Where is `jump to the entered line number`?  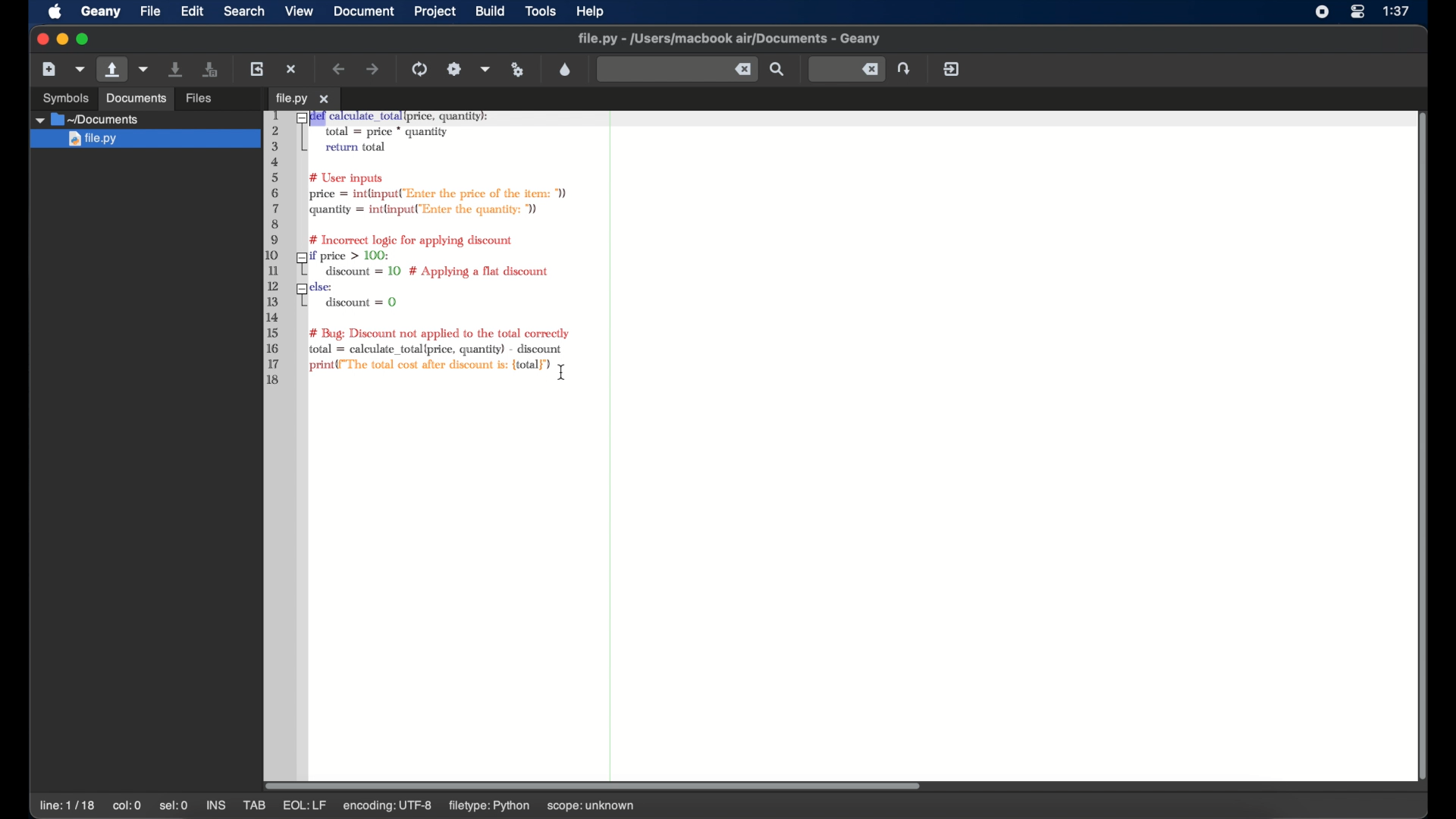 jump to the entered line number is located at coordinates (846, 68).